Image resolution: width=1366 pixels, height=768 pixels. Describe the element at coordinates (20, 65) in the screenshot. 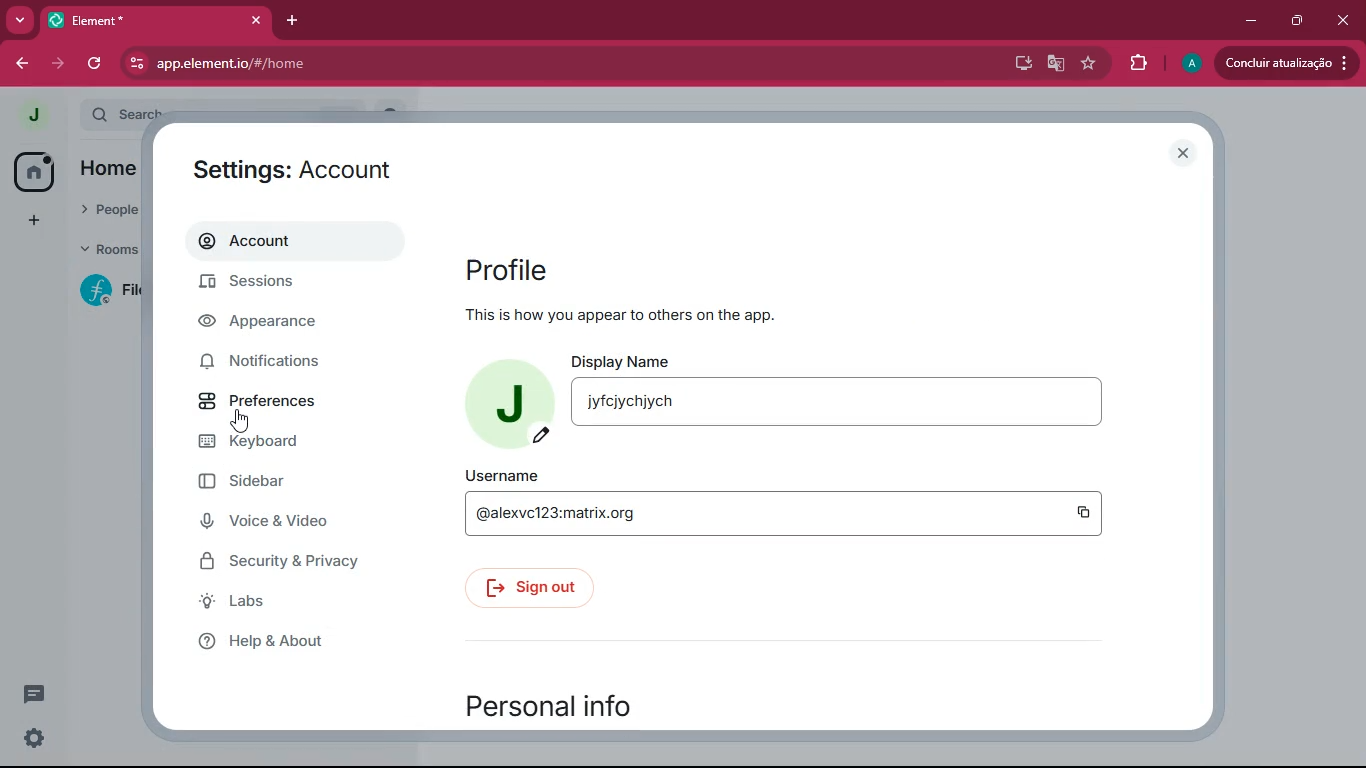

I see `forward` at that location.